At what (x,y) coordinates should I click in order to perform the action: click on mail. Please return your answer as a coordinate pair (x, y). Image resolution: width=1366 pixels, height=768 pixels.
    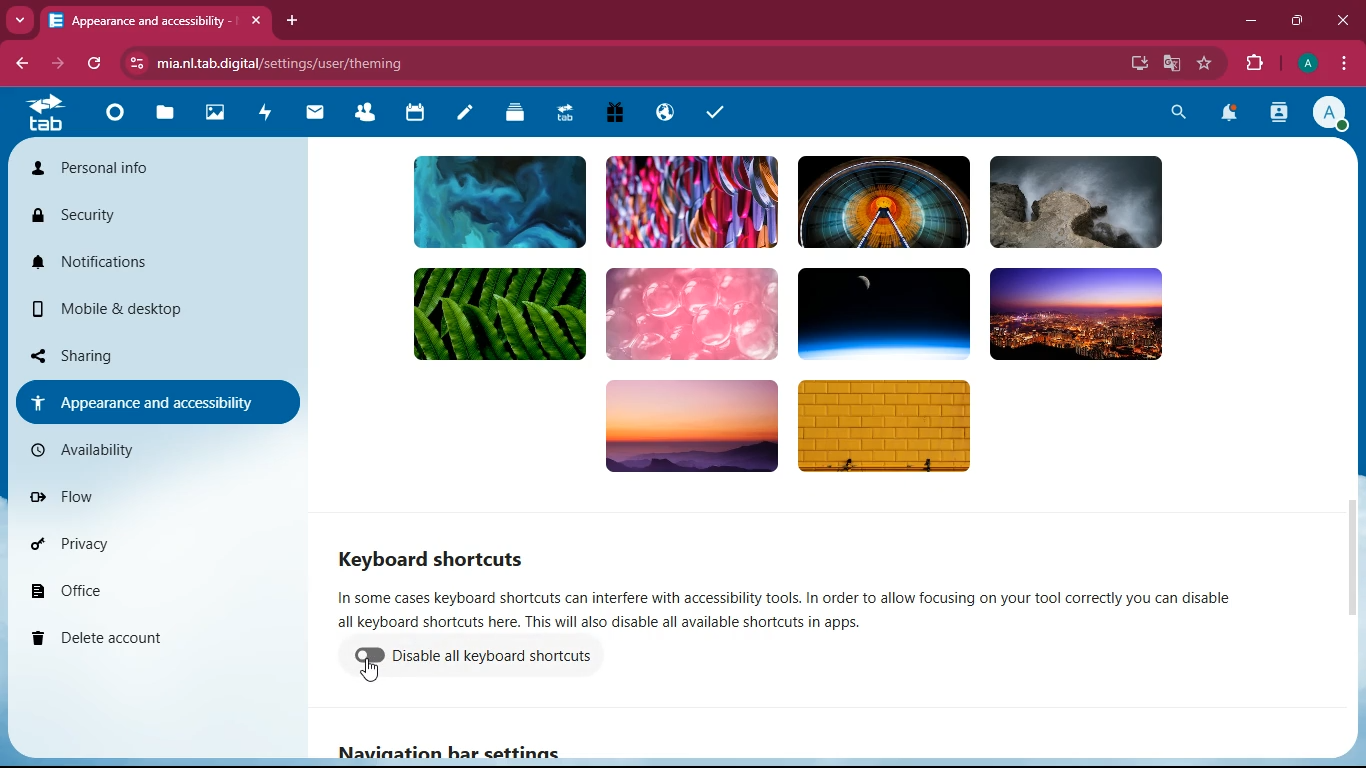
    Looking at the image, I should click on (316, 114).